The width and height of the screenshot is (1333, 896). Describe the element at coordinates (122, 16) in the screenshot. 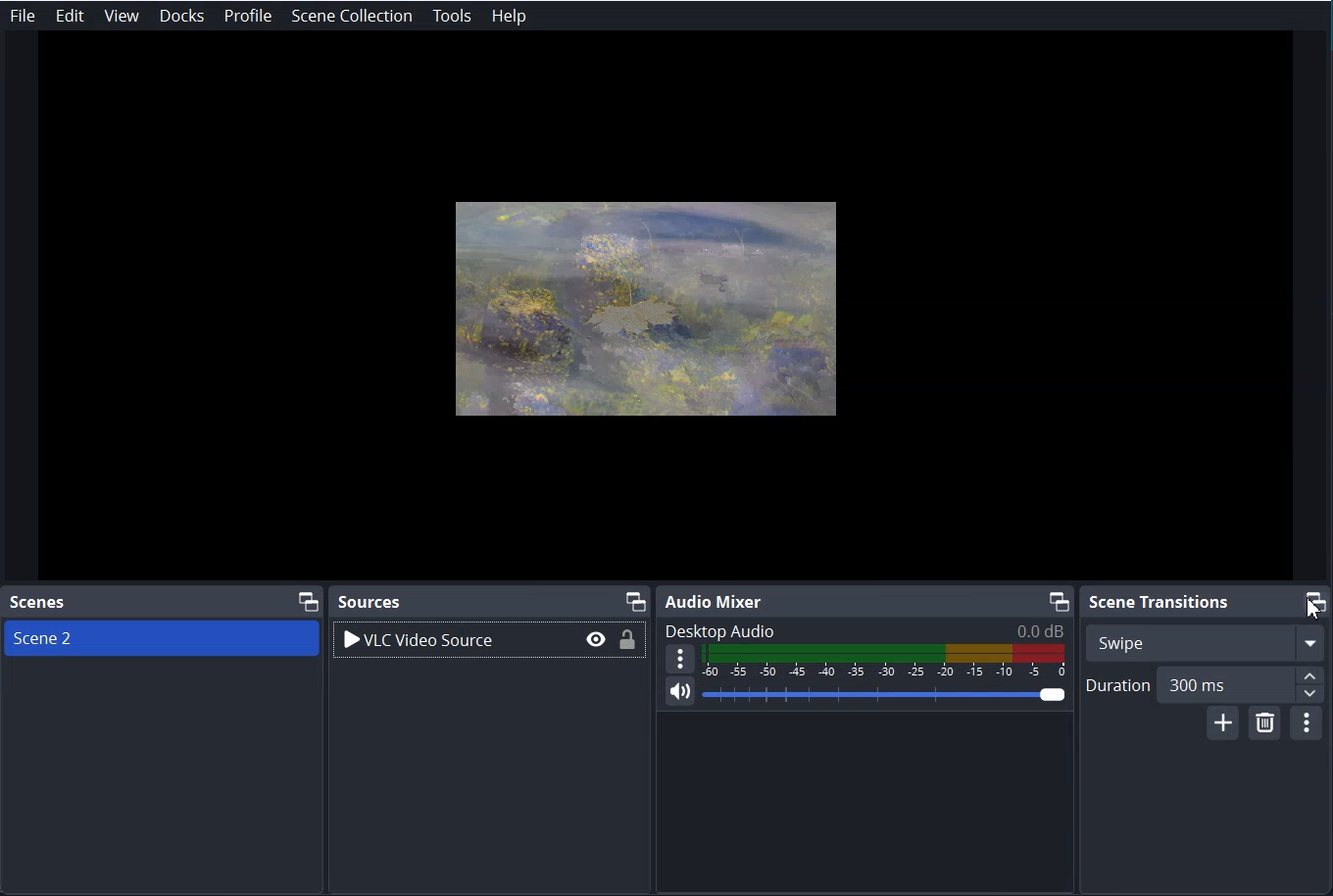

I see `View` at that location.